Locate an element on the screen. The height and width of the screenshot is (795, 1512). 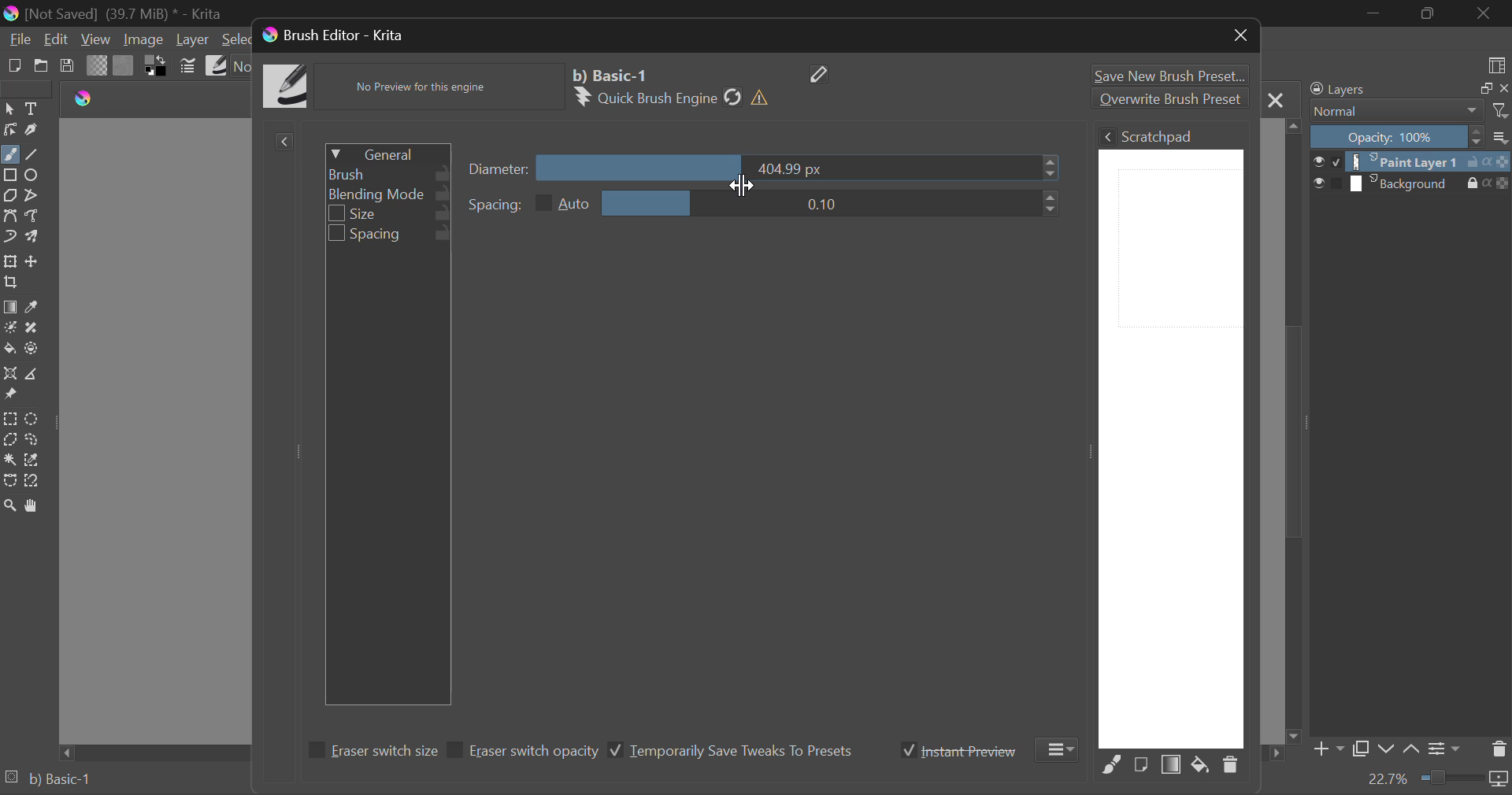
Diameter Slider is located at coordinates (501, 168).